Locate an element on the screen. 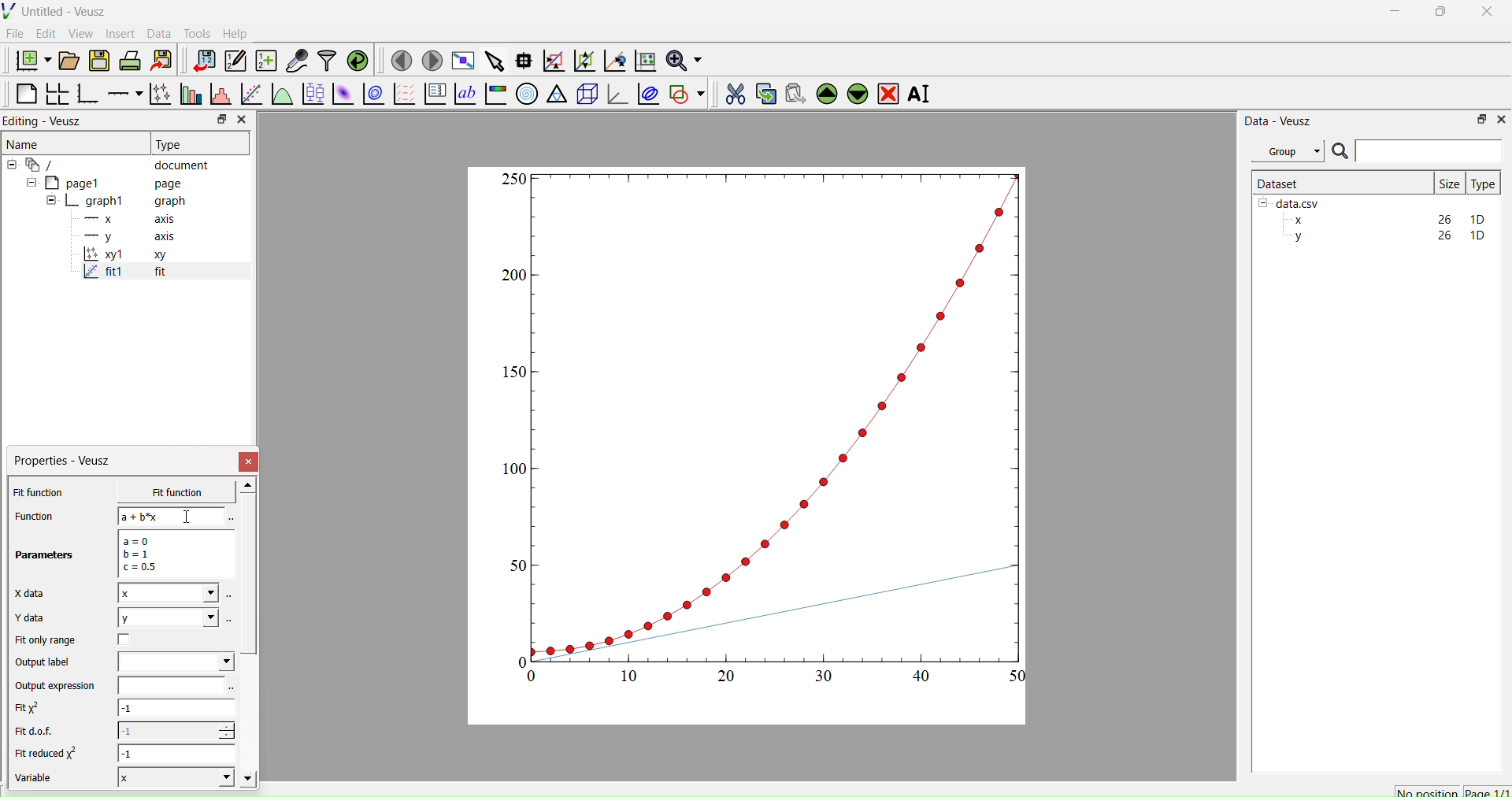  Zoom functions menu is located at coordinates (683, 58).